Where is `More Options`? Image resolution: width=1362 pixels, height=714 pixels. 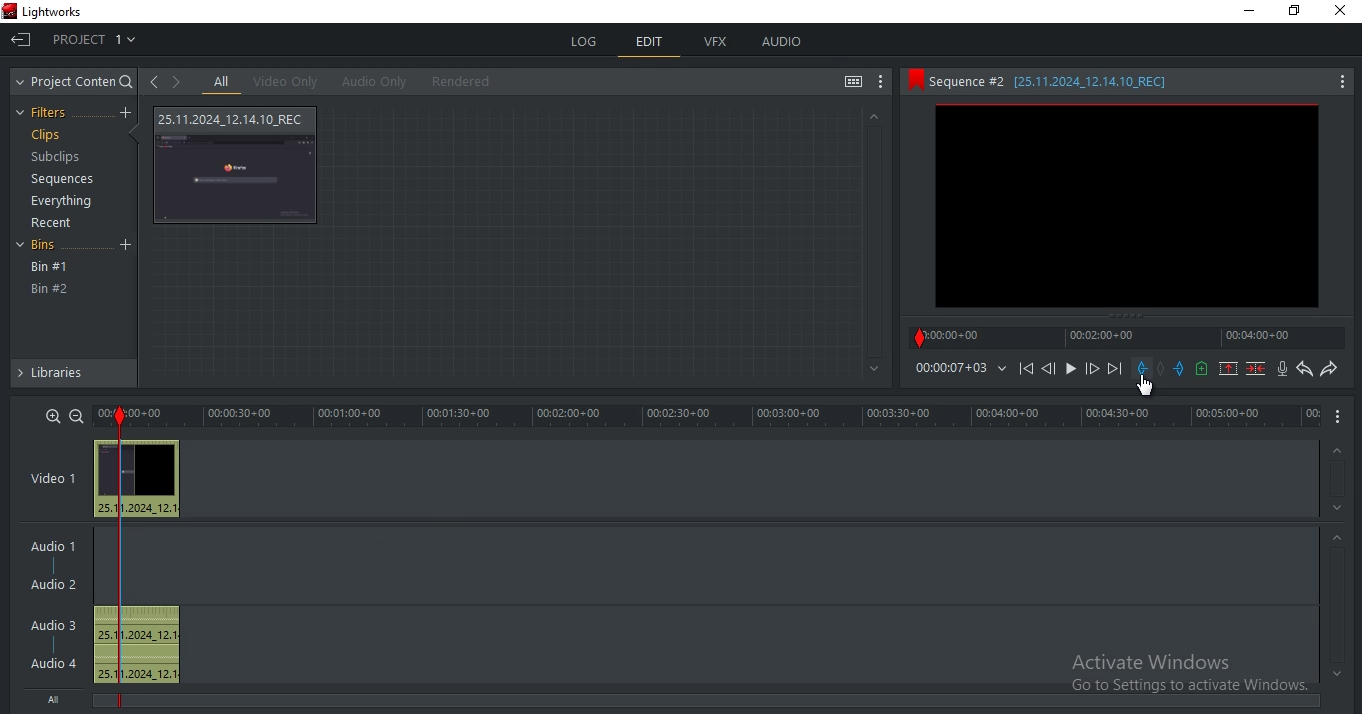
More Options is located at coordinates (1339, 419).